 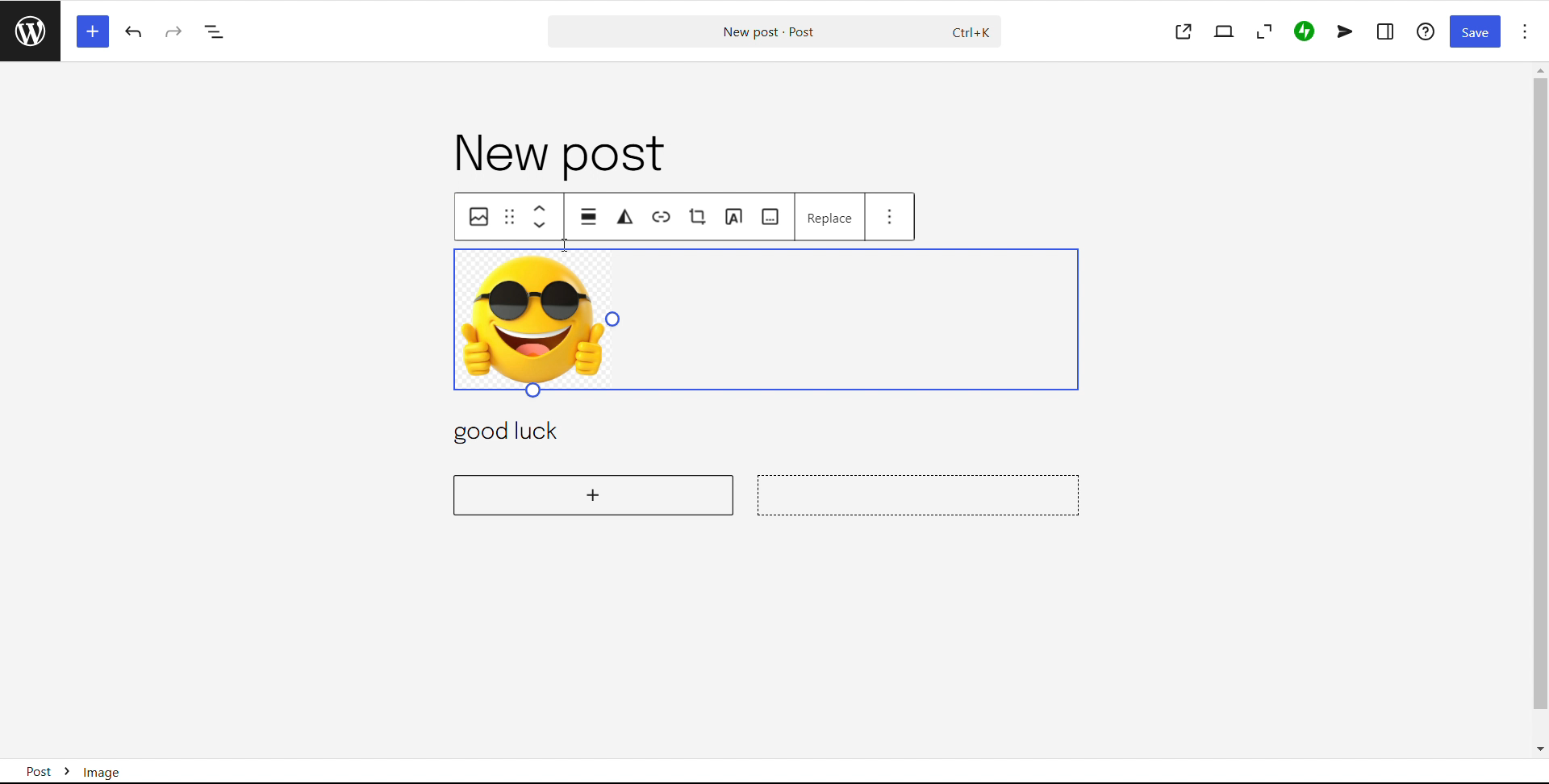 I want to click on image, so click(x=480, y=218).